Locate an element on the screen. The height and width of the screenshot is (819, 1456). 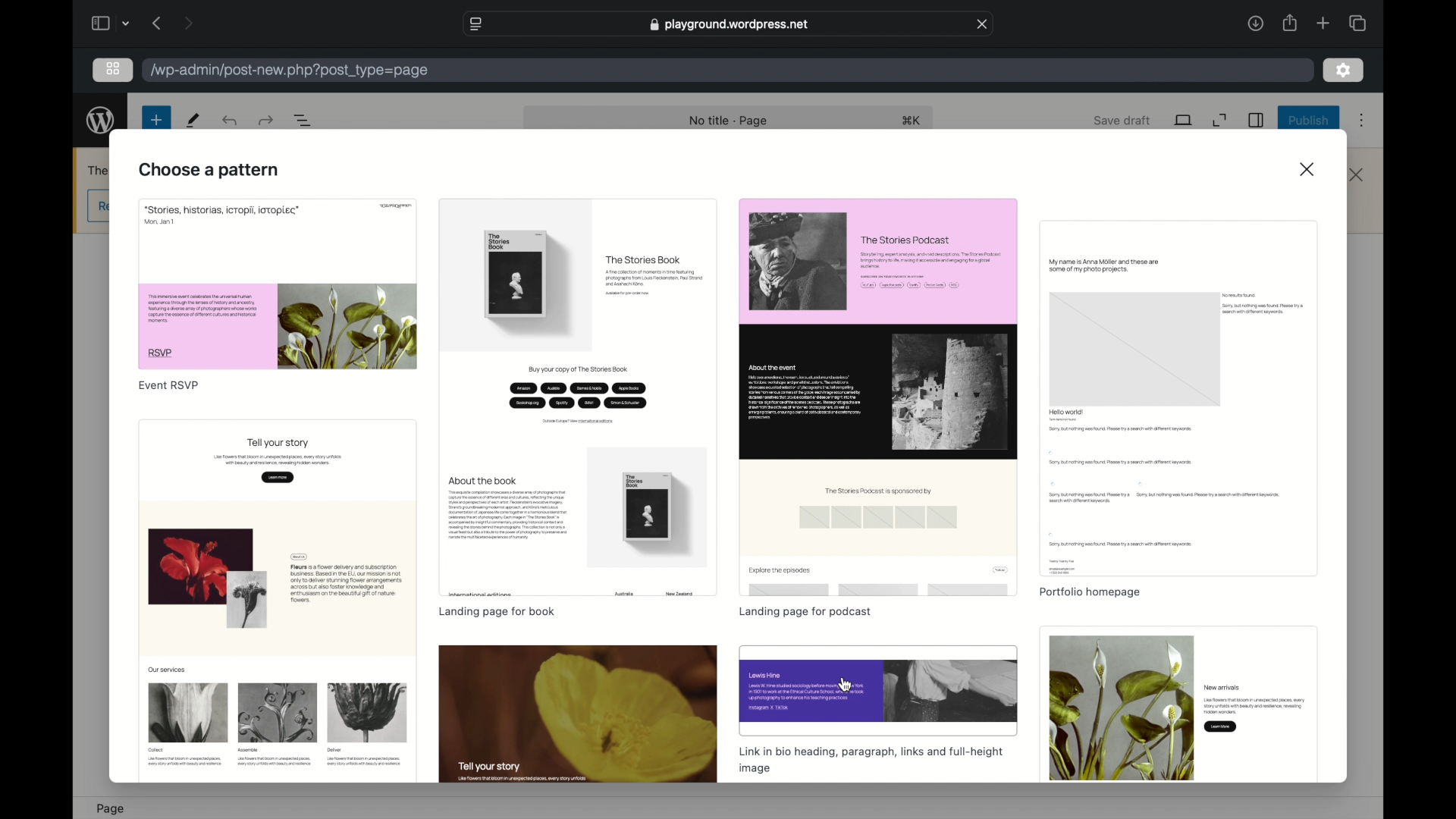
event rsvp is located at coordinates (169, 385).